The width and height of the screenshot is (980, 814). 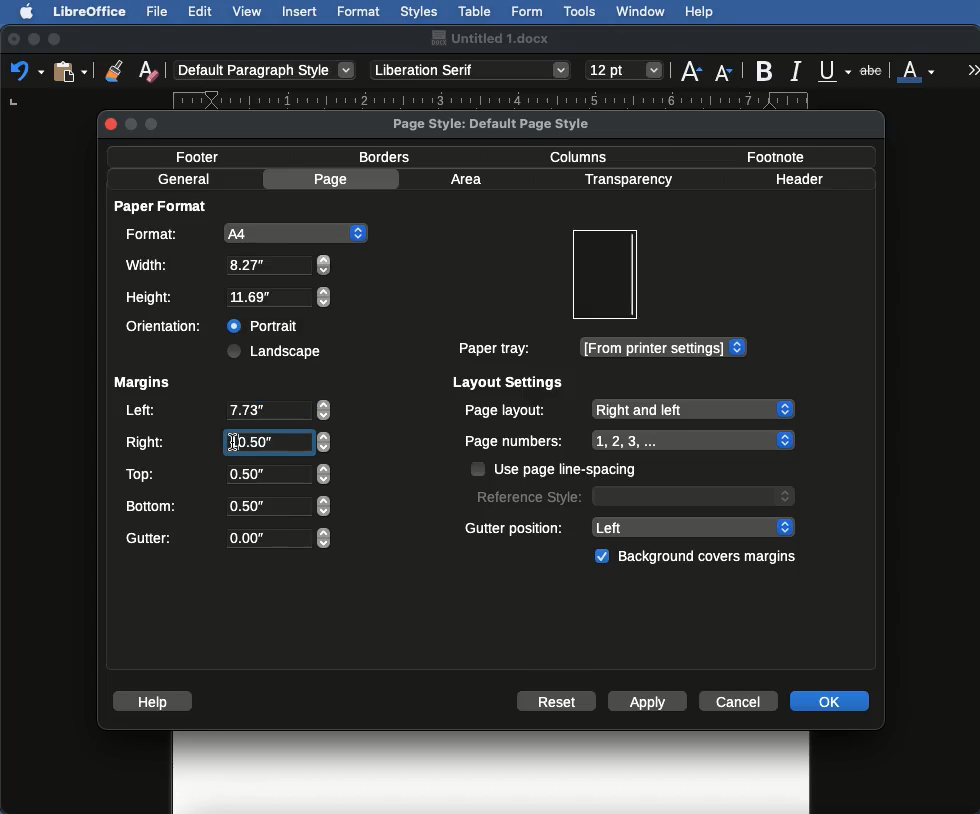 I want to click on Area, so click(x=469, y=179).